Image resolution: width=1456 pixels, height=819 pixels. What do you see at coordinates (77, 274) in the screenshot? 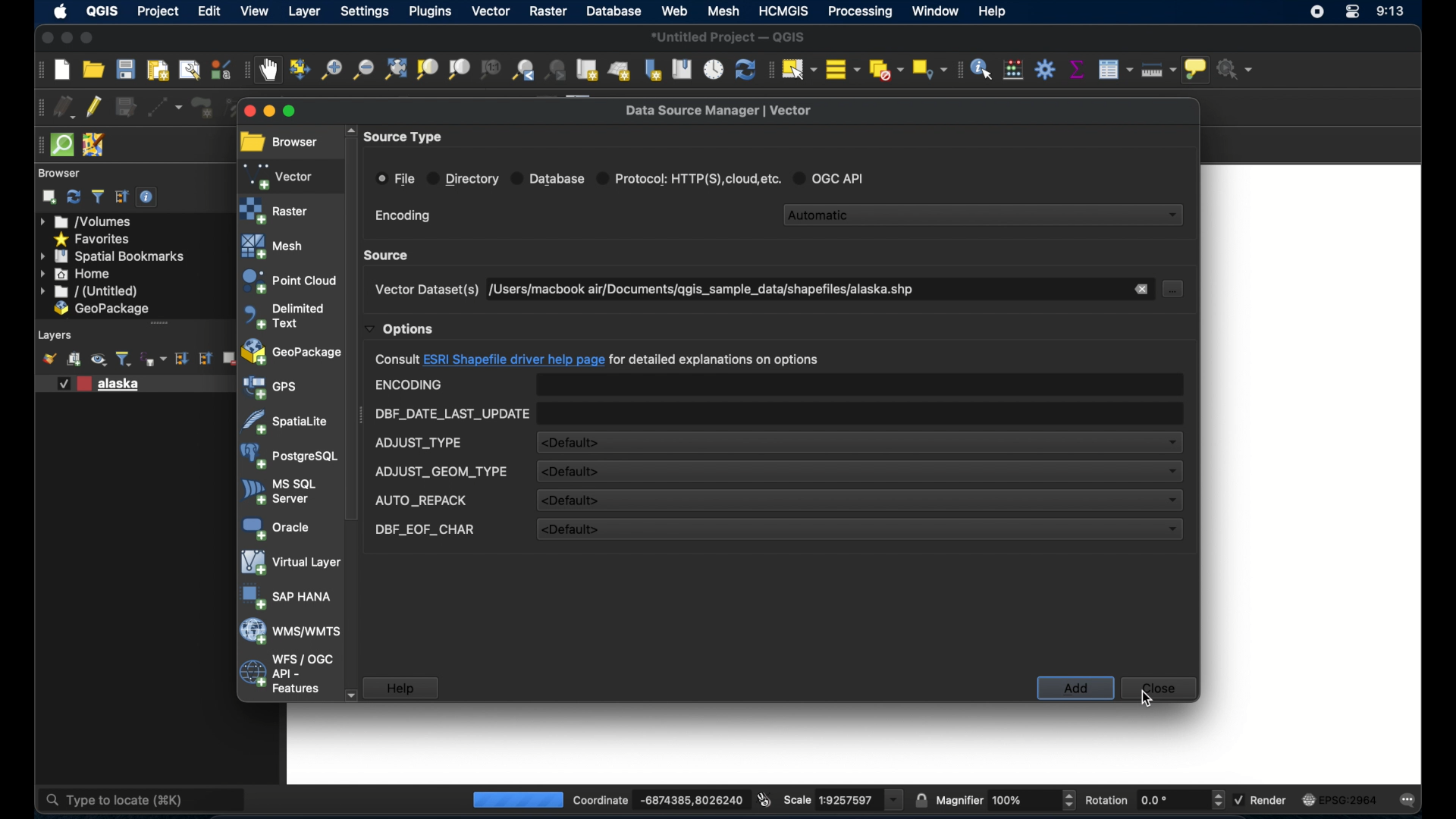
I see `home` at bounding box center [77, 274].